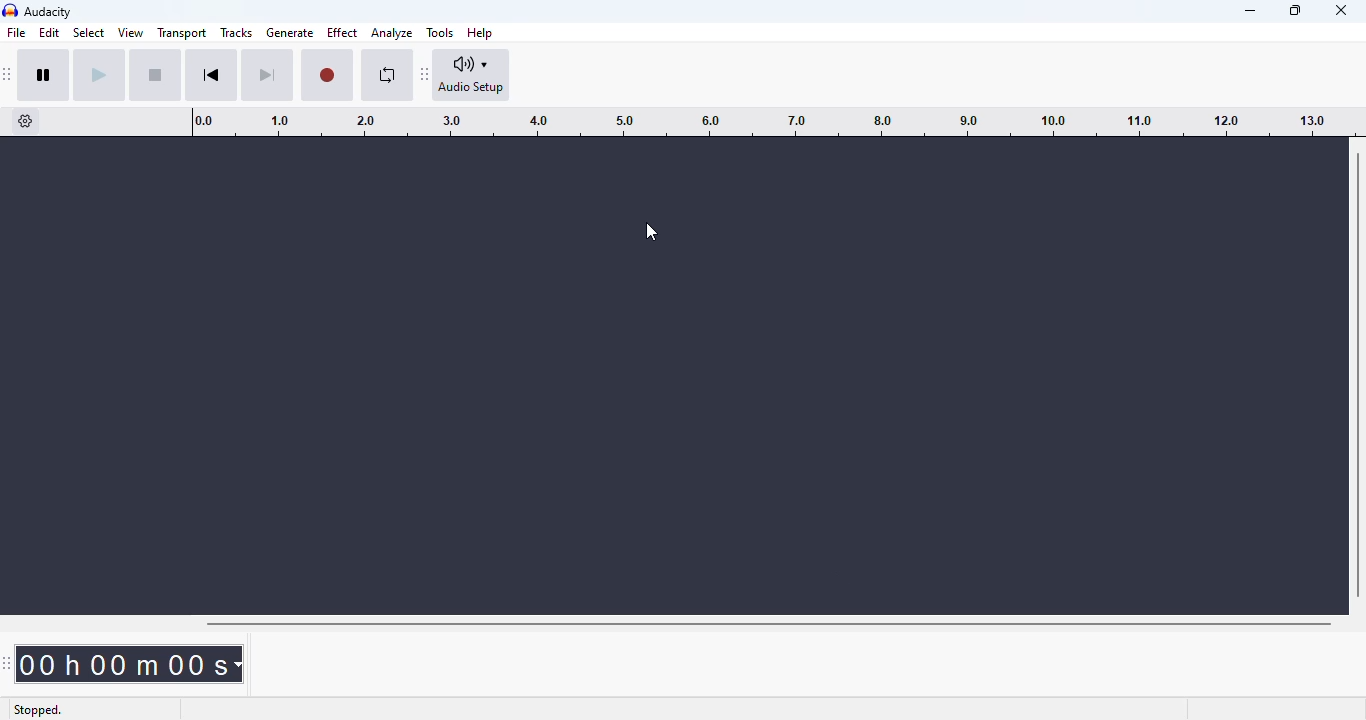 The width and height of the screenshot is (1366, 720). What do you see at coordinates (266, 76) in the screenshot?
I see `skip to end` at bounding box center [266, 76].